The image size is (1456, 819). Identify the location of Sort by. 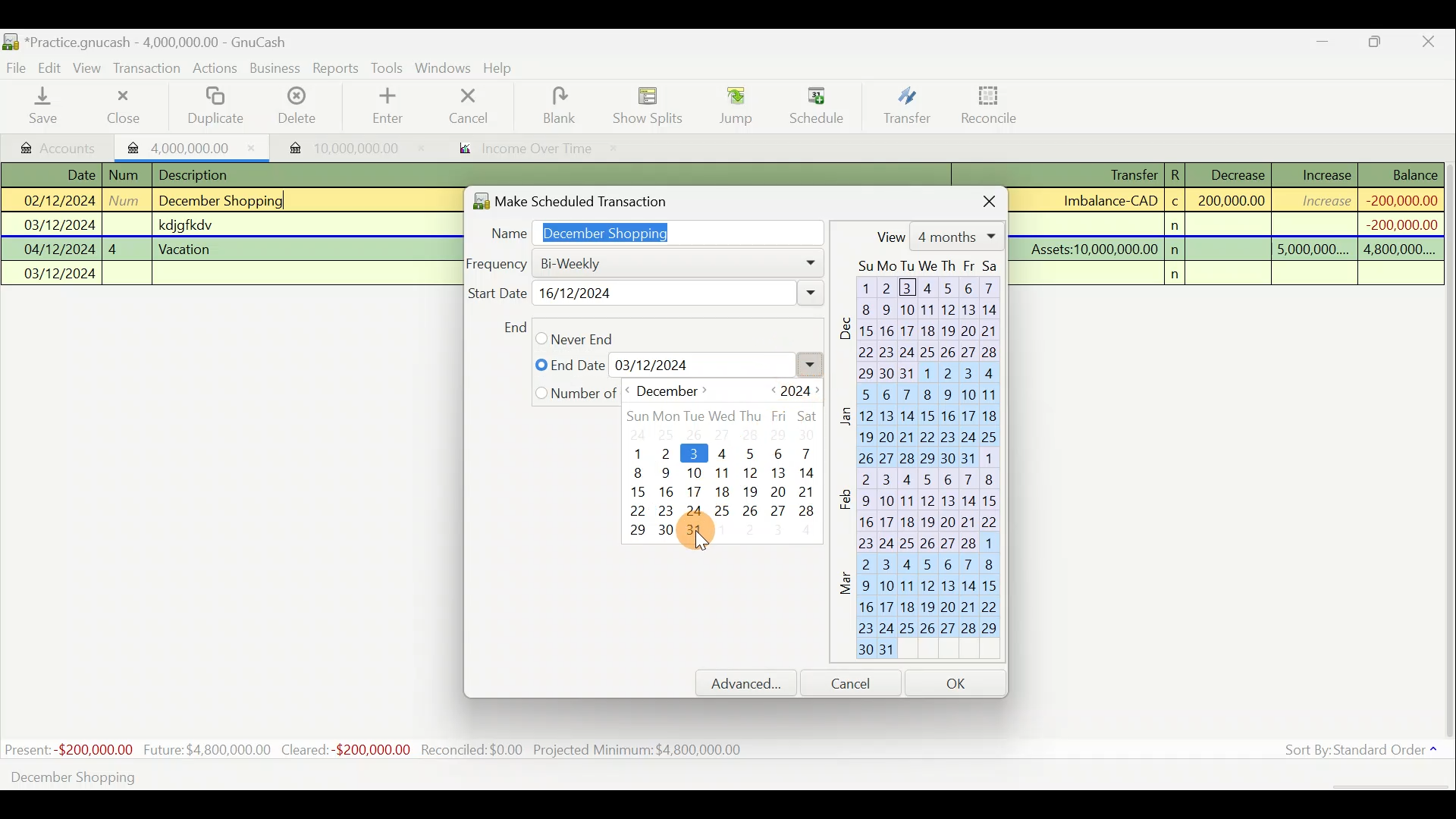
(1364, 753).